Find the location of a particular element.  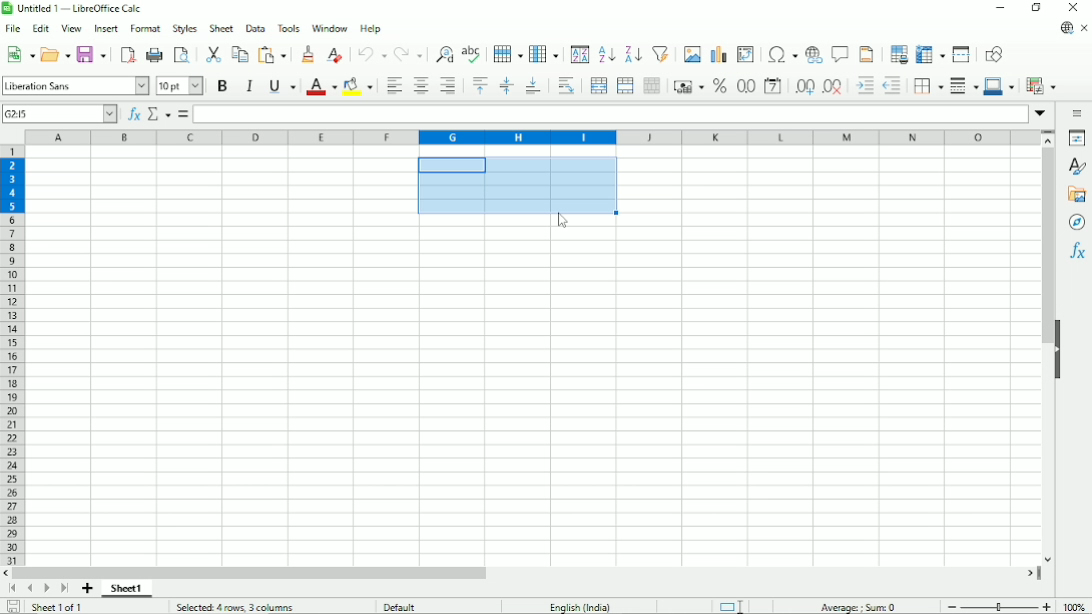

Export directly as PDF is located at coordinates (128, 55).